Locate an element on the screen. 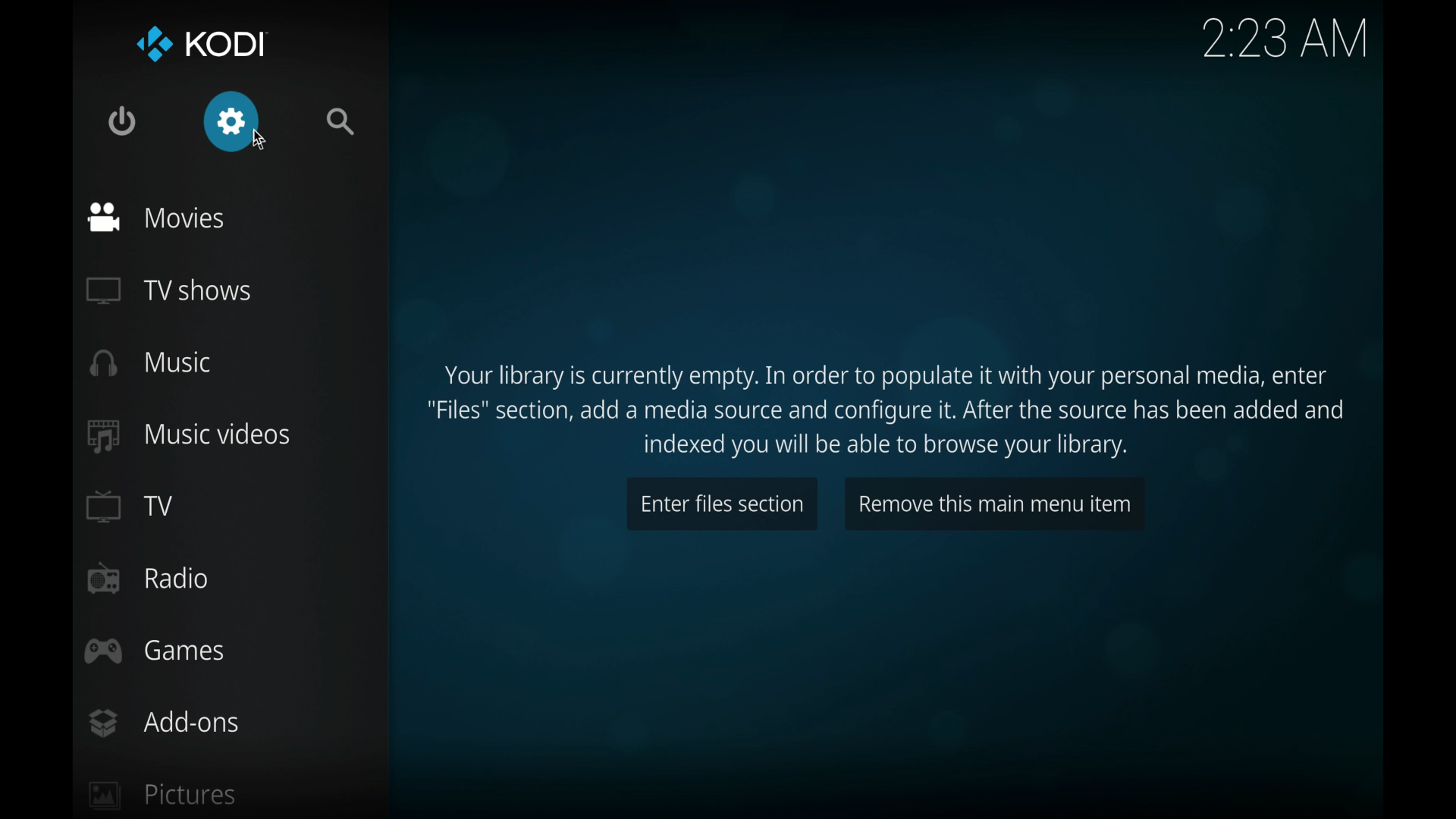 This screenshot has height=819, width=1456. 2:23 AM is located at coordinates (1284, 41).